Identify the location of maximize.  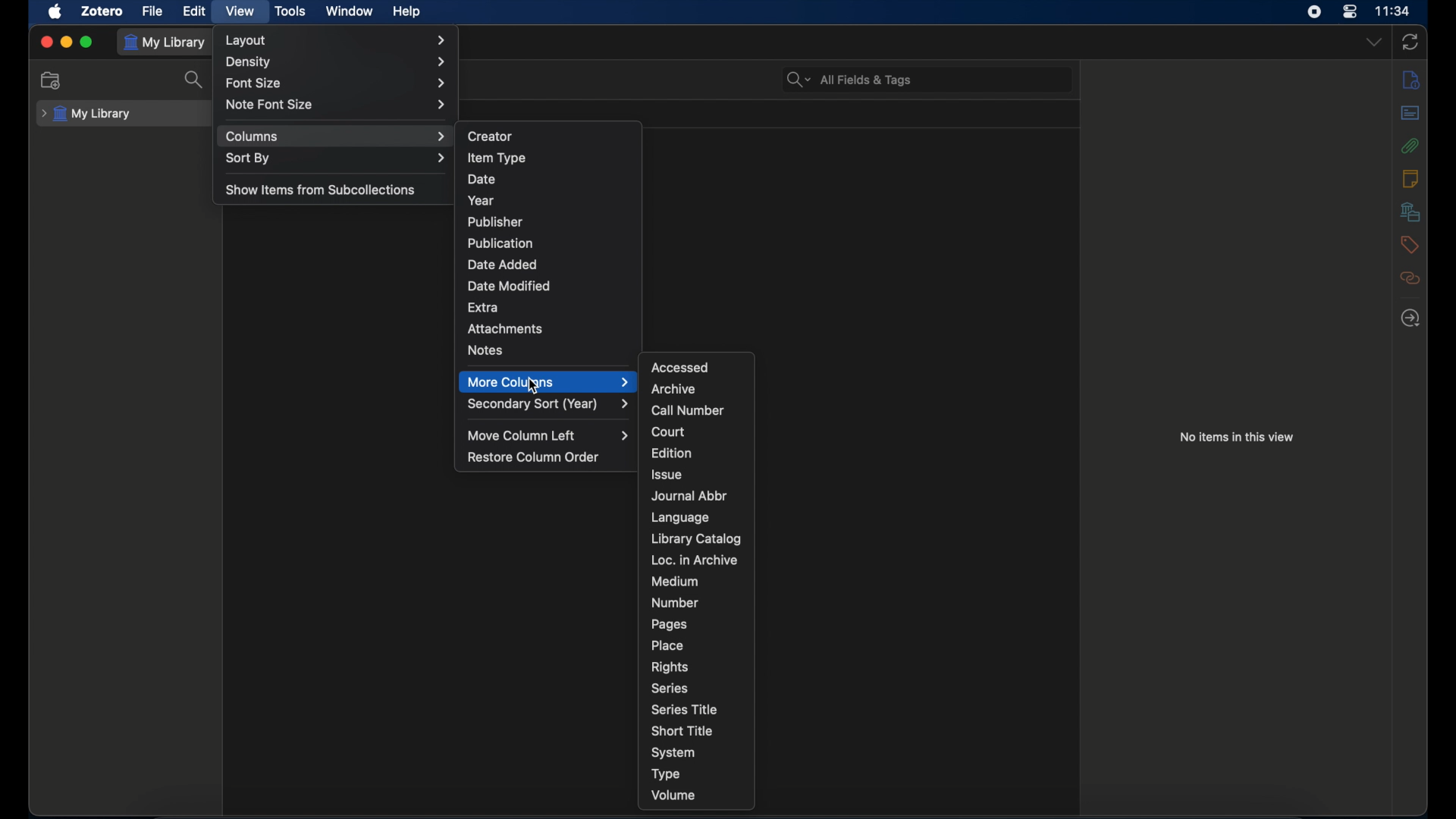
(86, 42).